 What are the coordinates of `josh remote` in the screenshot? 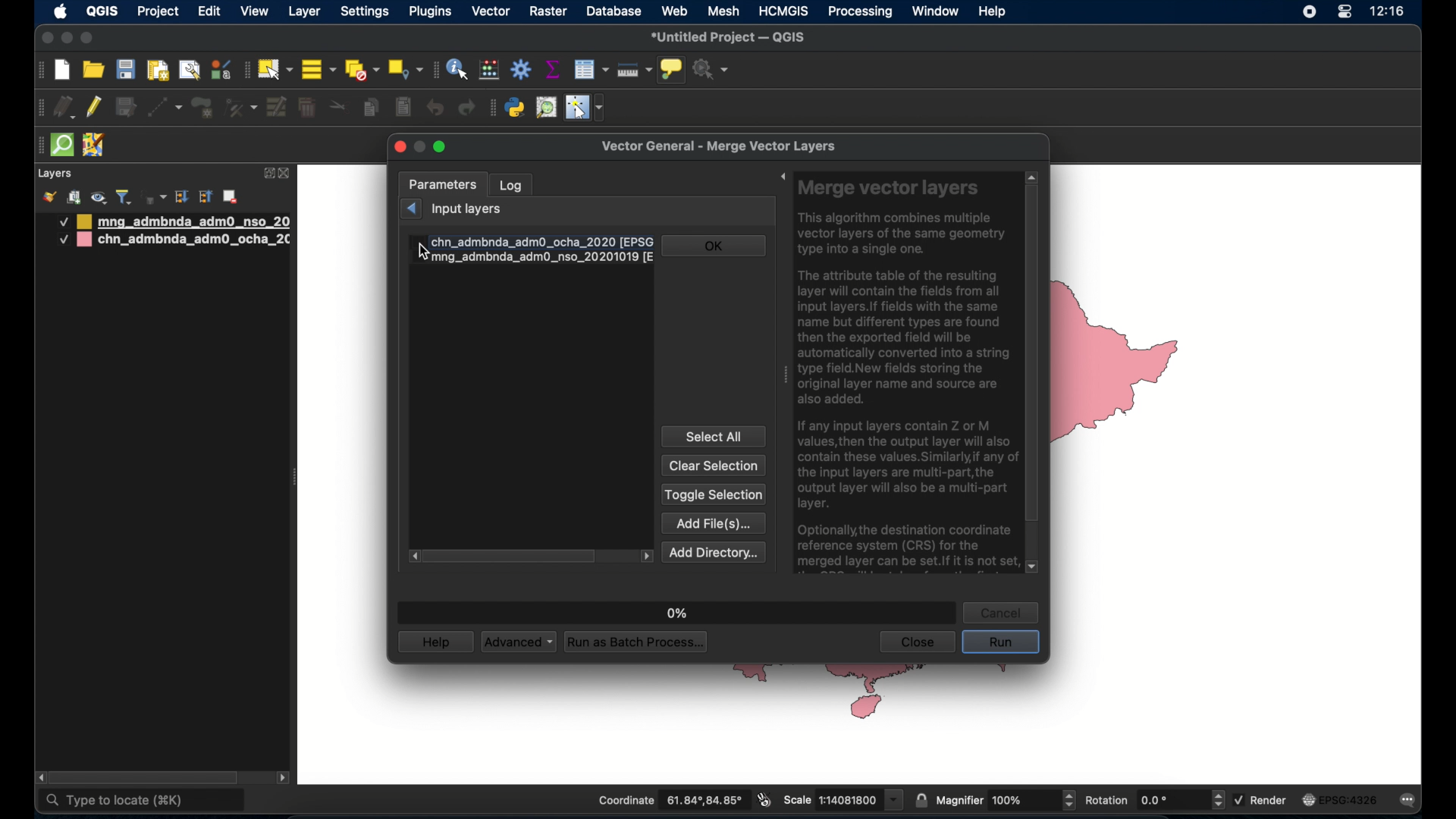 It's located at (93, 146).